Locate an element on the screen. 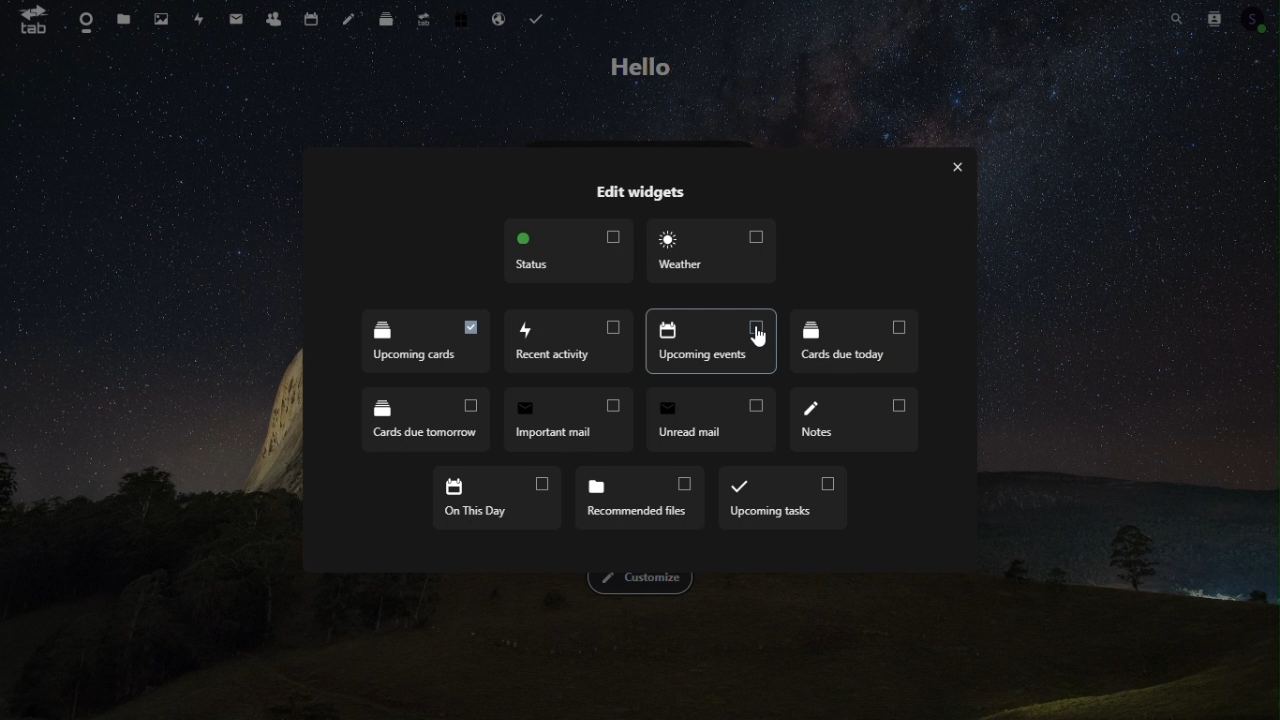  Important mail is located at coordinates (566, 420).